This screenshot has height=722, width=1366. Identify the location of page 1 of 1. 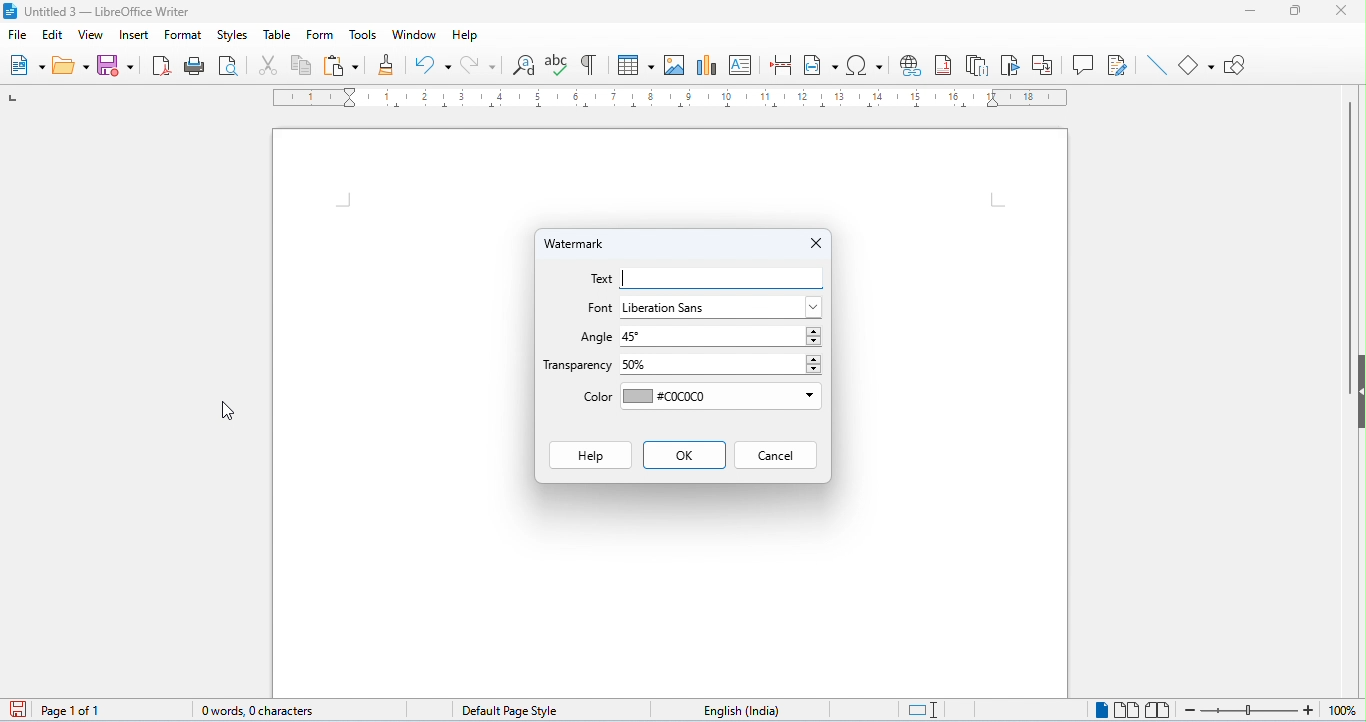
(73, 711).